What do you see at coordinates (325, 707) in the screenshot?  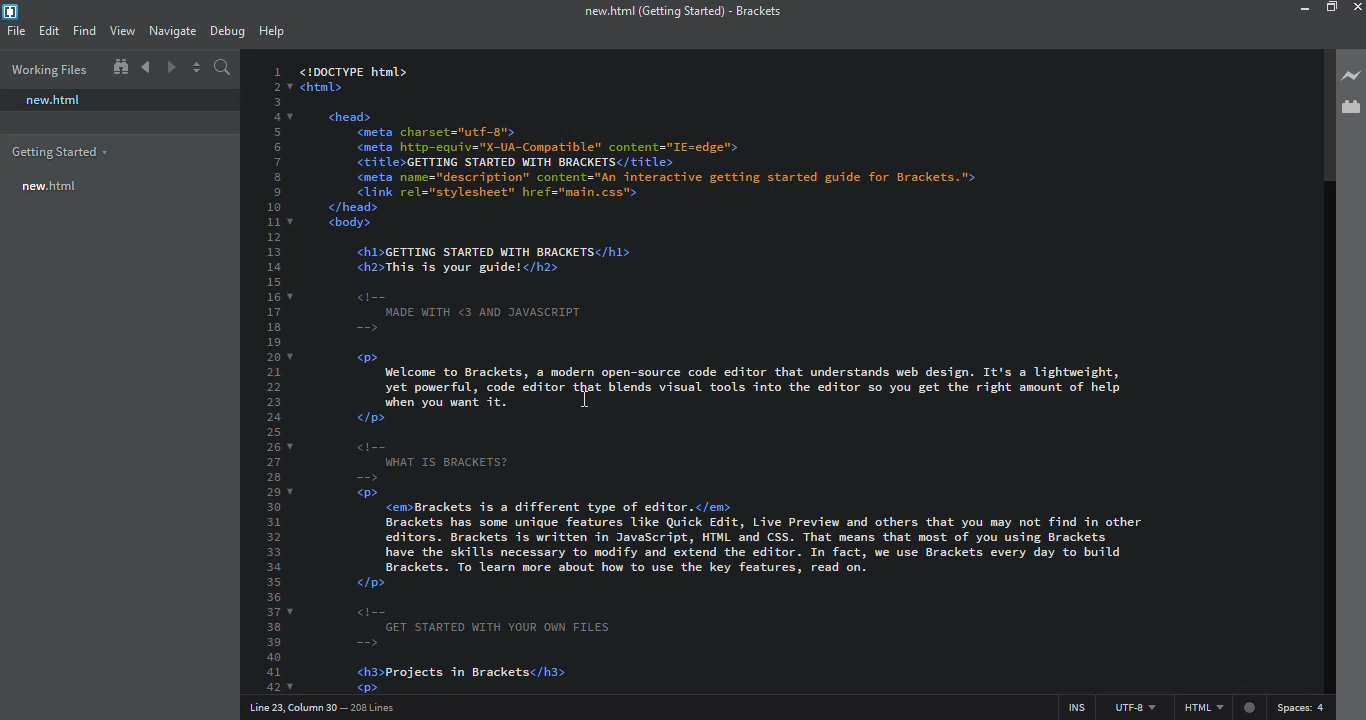 I see `line` at bounding box center [325, 707].